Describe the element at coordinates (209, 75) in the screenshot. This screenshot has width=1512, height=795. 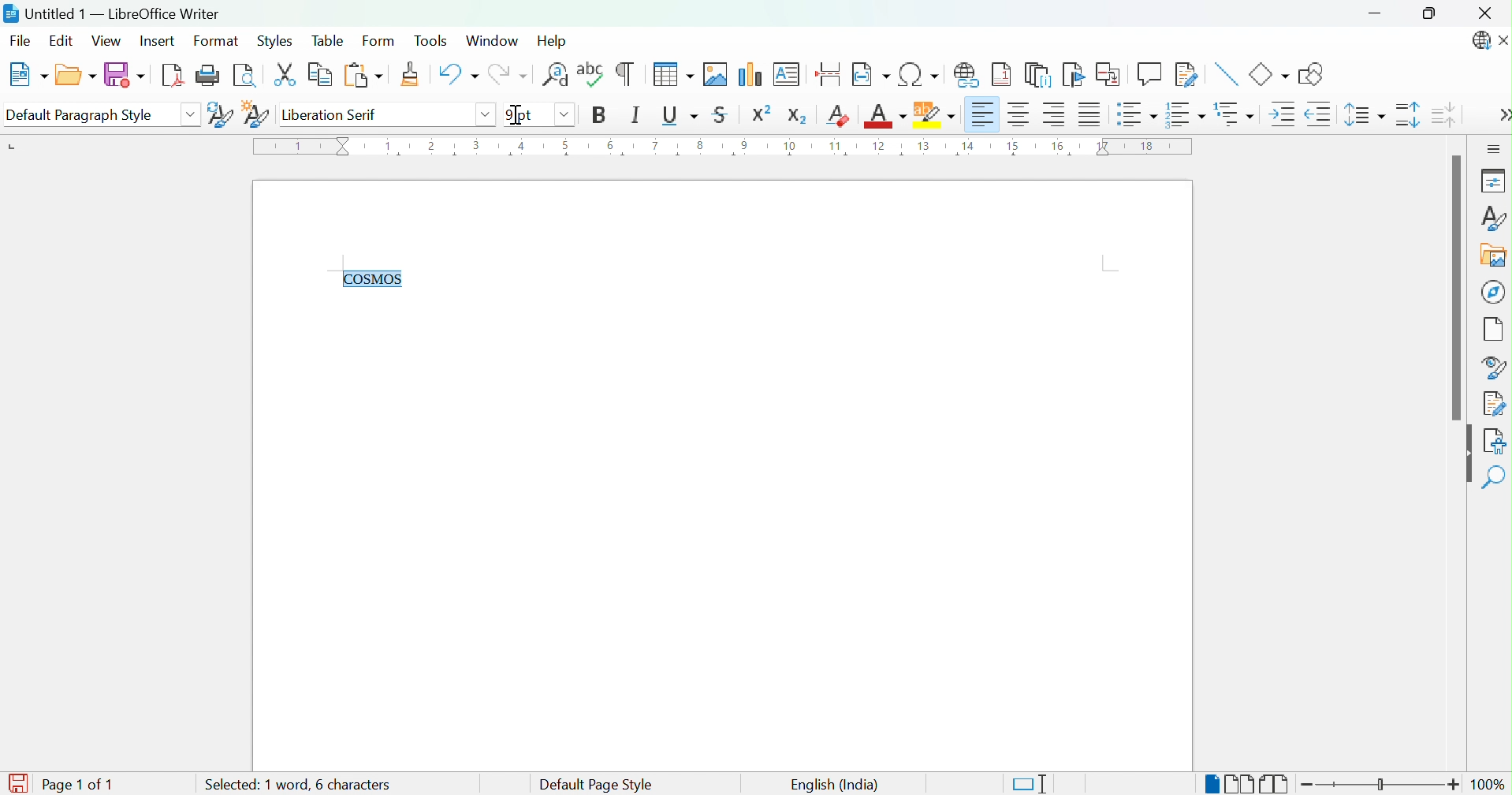
I see `Print` at that location.